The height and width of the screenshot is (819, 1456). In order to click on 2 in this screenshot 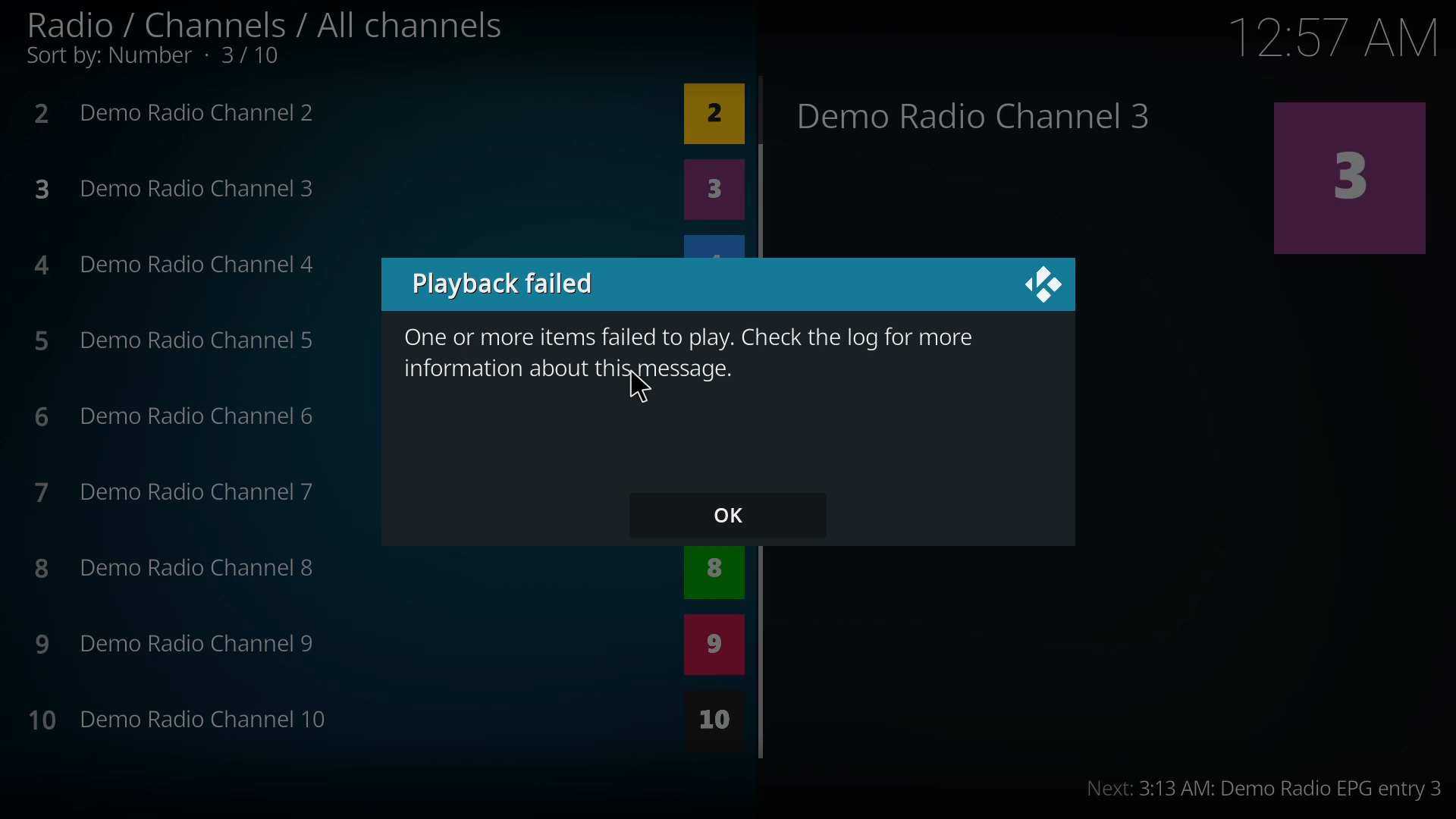, I will do `click(712, 112)`.